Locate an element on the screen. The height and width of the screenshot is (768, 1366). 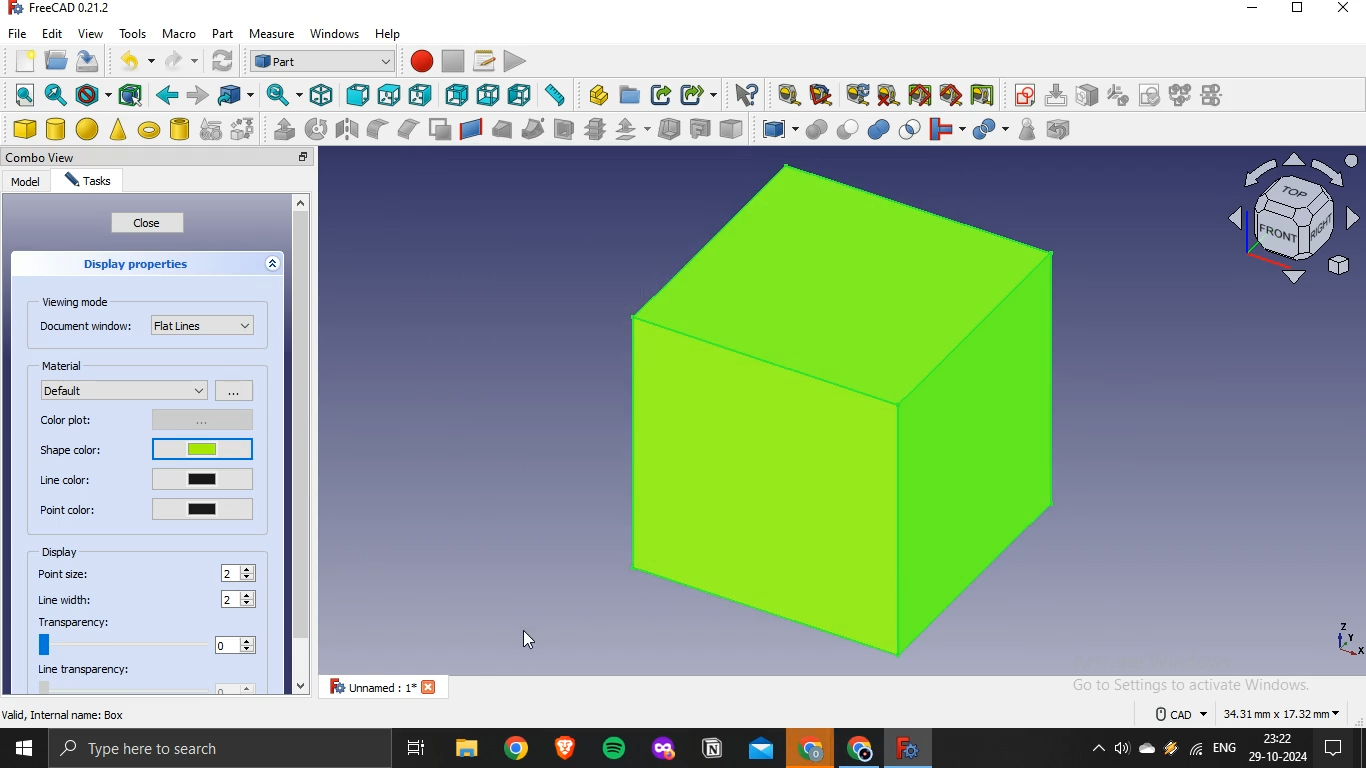
create part is located at coordinates (598, 95).